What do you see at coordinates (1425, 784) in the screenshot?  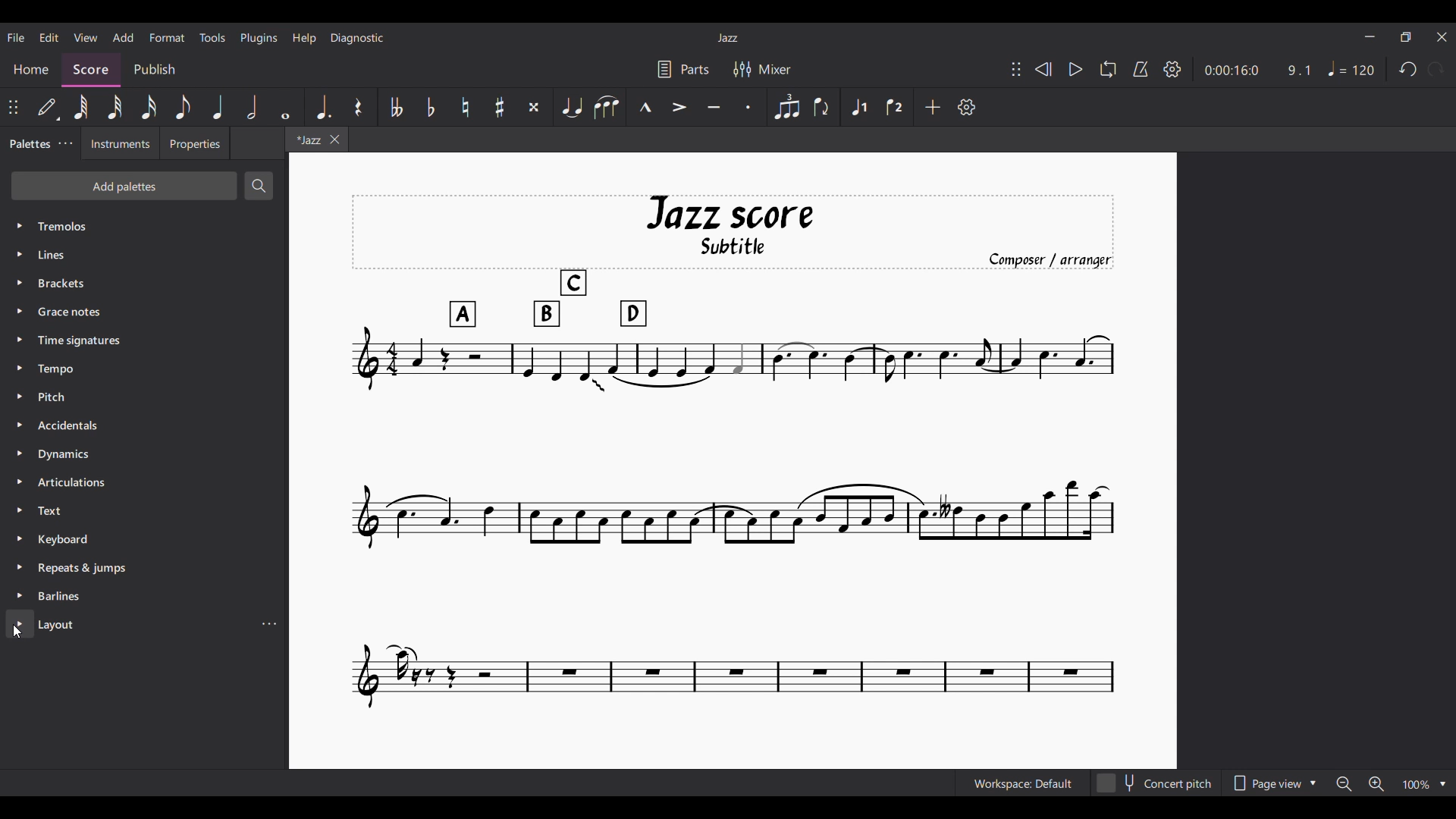 I see `Zoom options` at bounding box center [1425, 784].